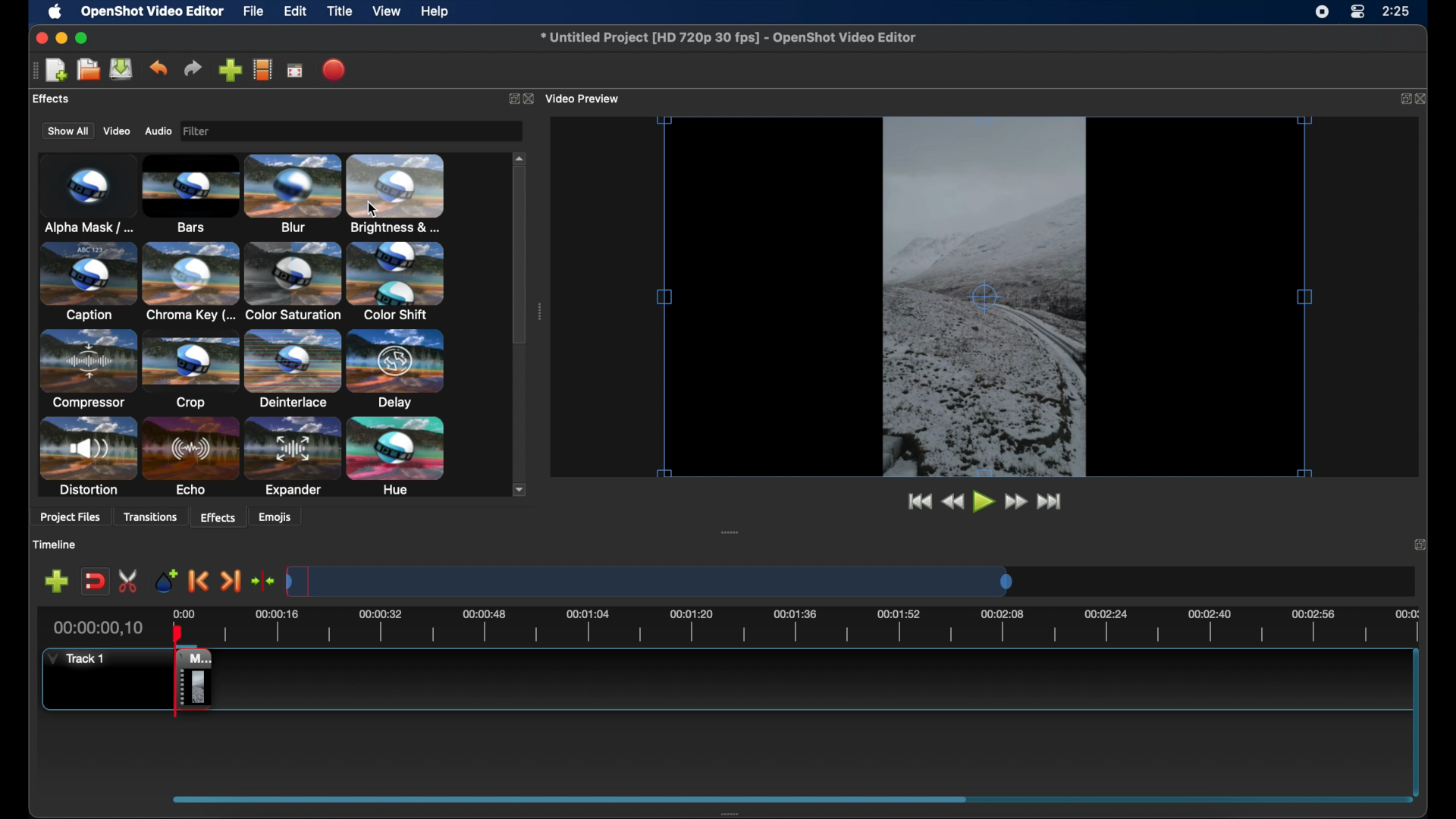  I want to click on close, so click(1423, 98).